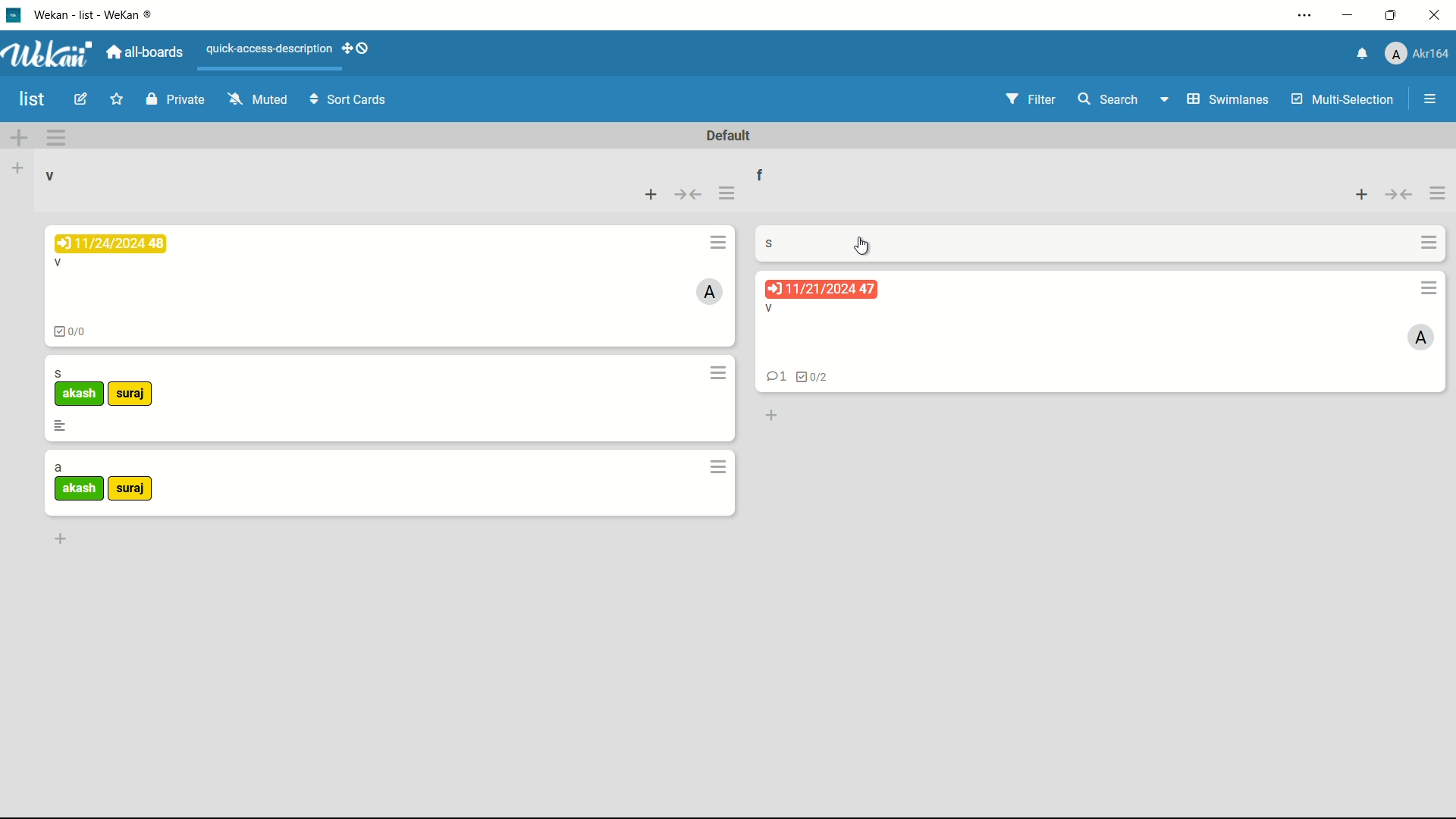 The image size is (1456, 819). Describe the element at coordinates (271, 49) in the screenshot. I see `quick-access-description` at that location.